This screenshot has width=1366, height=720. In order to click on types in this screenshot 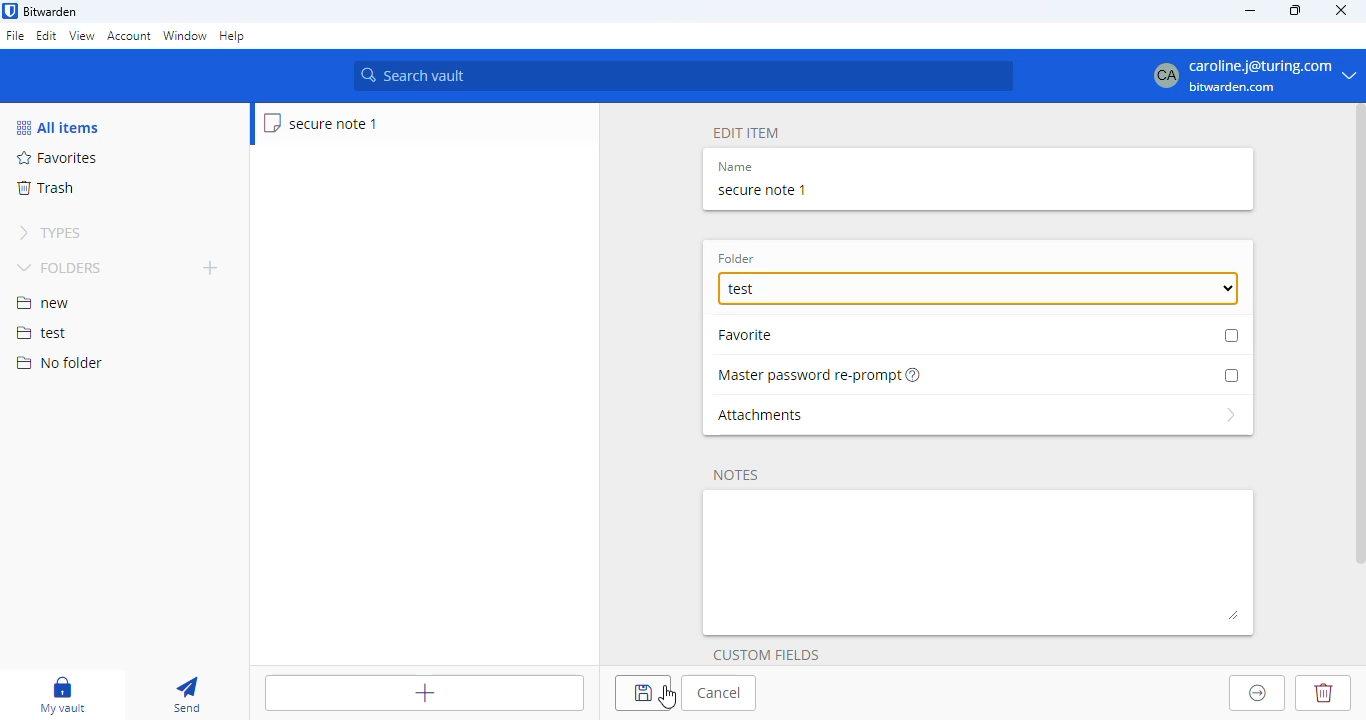, I will do `click(50, 233)`.